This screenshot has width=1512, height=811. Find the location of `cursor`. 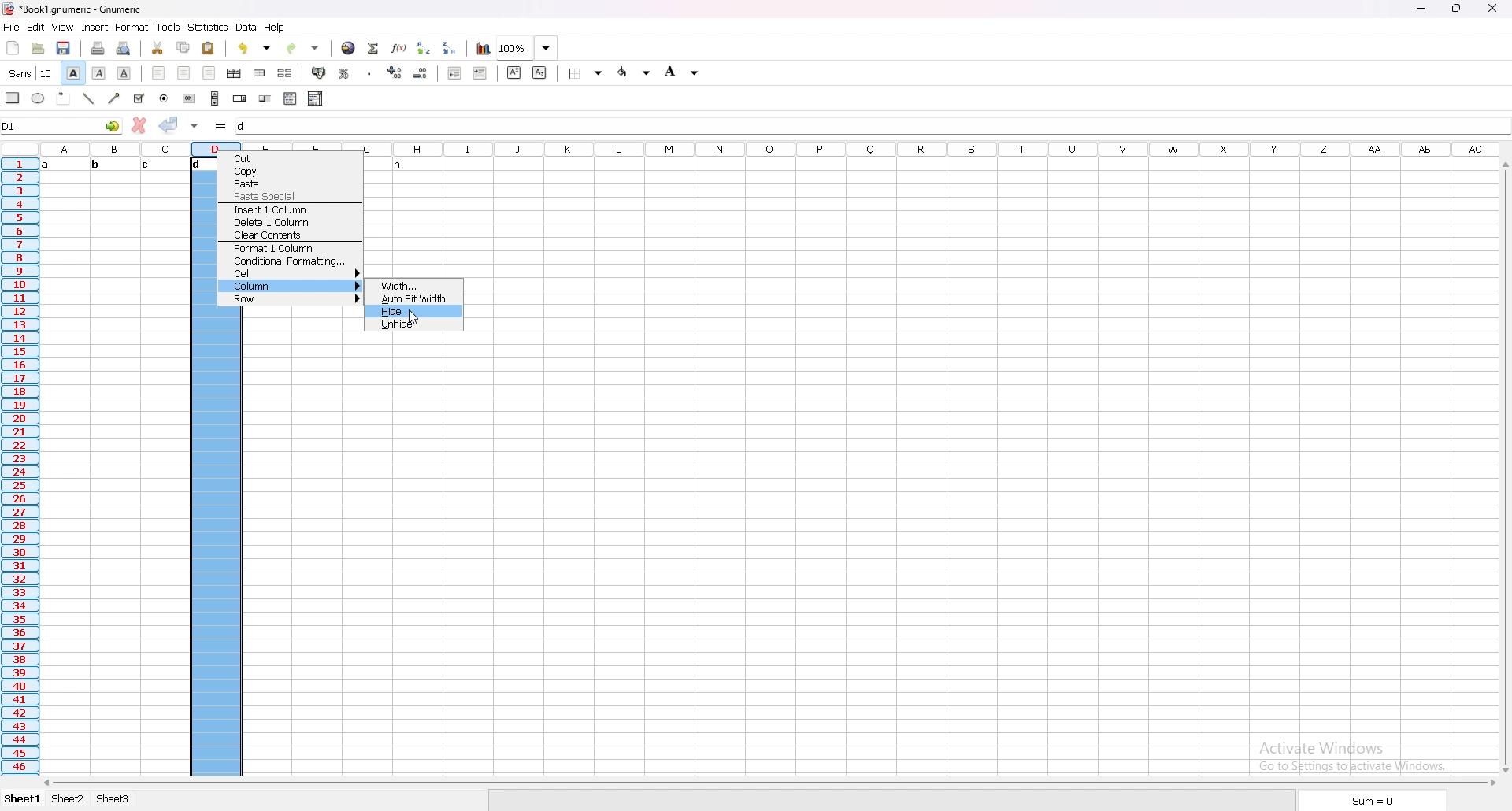

cursor is located at coordinates (412, 317).